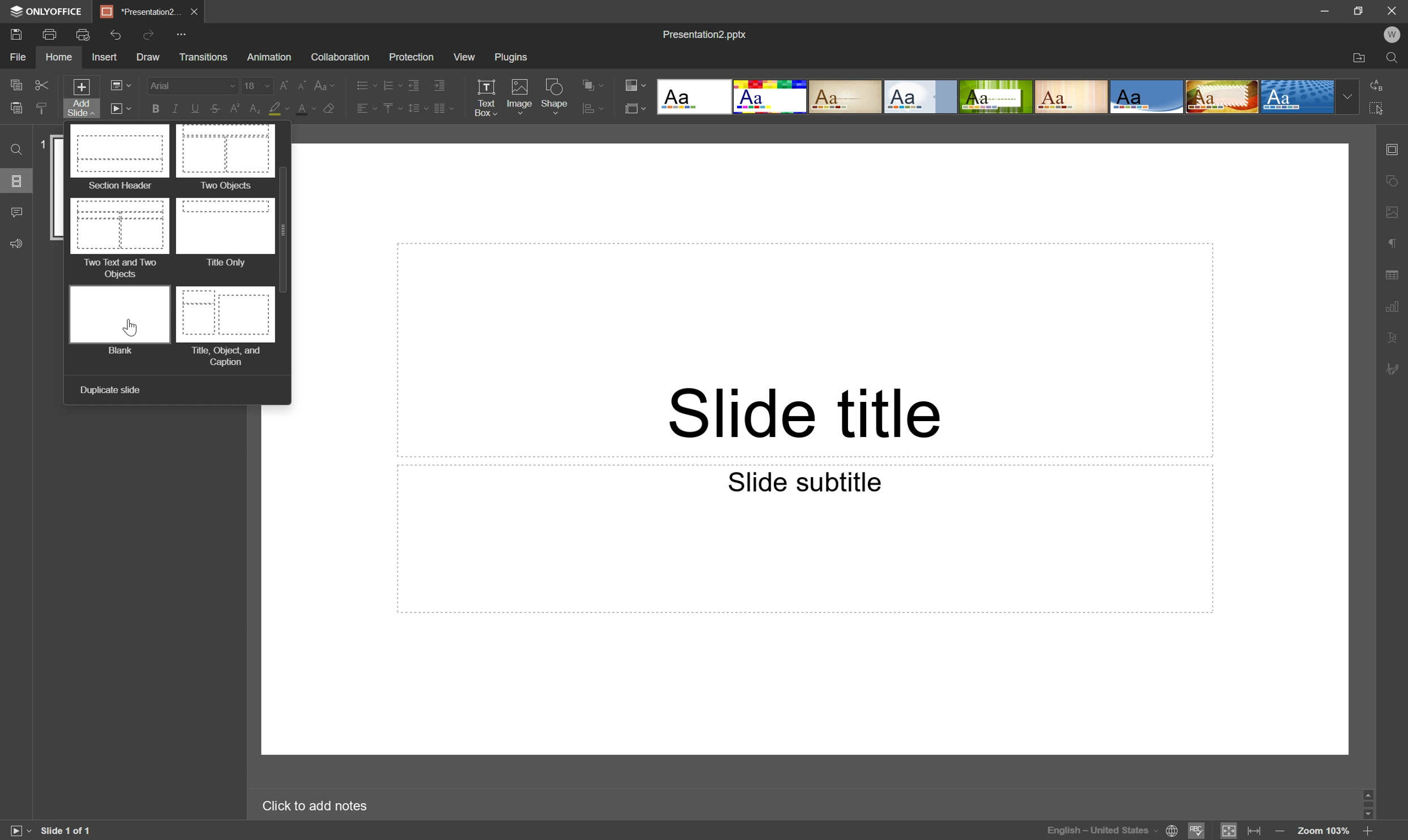  I want to click on Decrement font size, so click(303, 83).